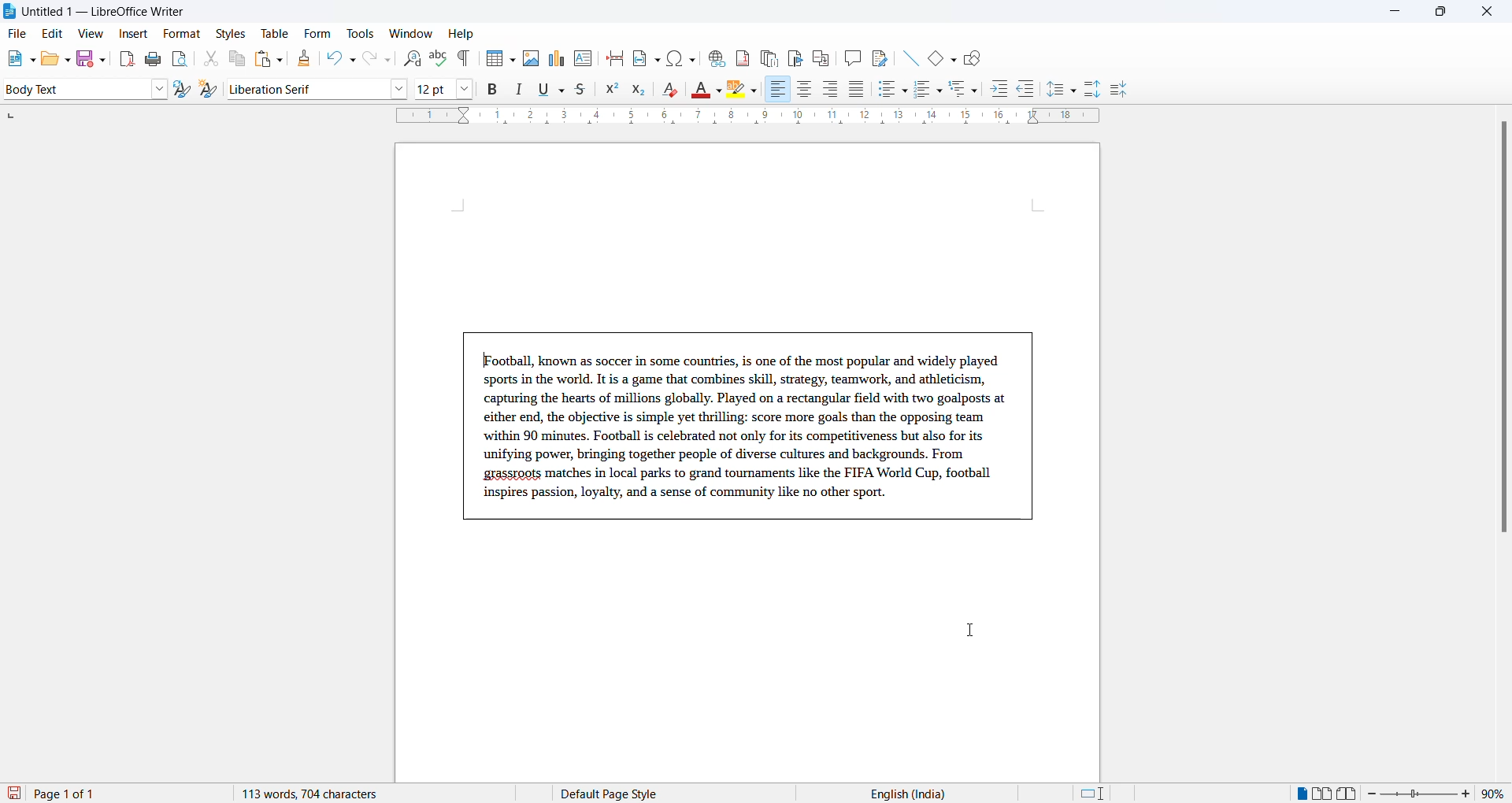 Image resolution: width=1512 pixels, height=803 pixels. What do you see at coordinates (301, 58) in the screenshot?
I see `clone formatting` at bounding box center [301, 58].